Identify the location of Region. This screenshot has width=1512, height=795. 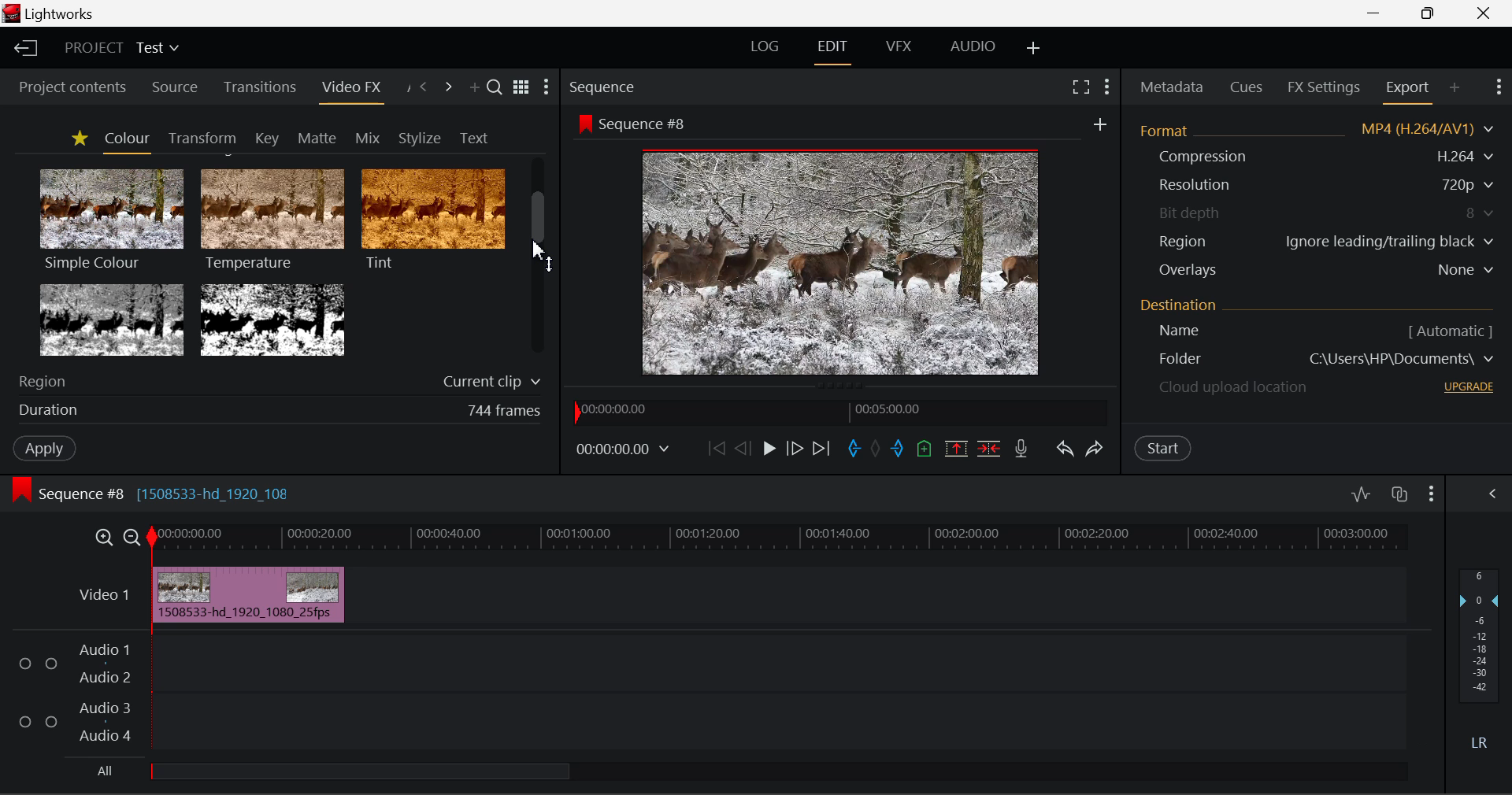
(1184, 241).